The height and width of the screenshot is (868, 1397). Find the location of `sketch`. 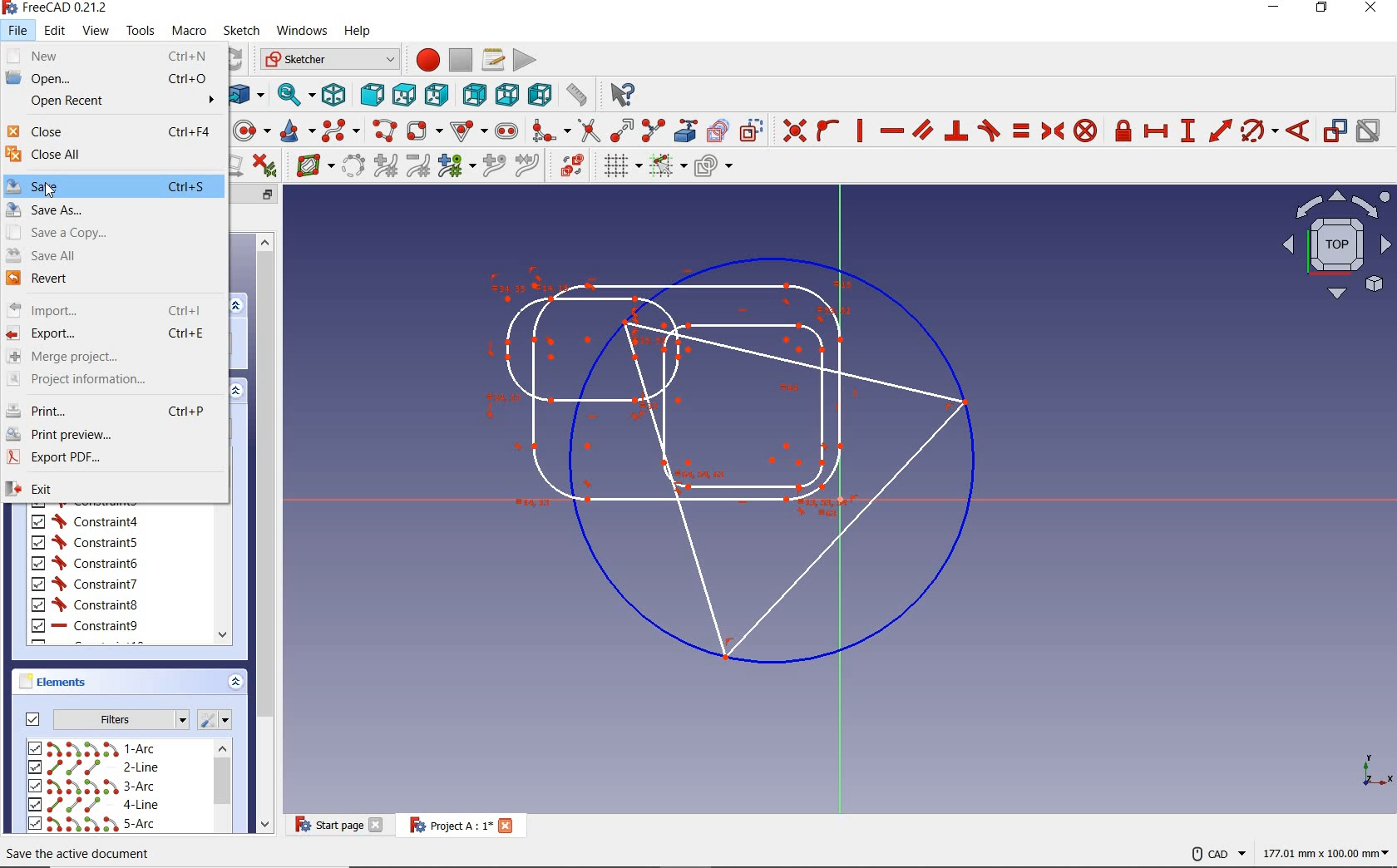

sketch is located at coordinates (241, 32).